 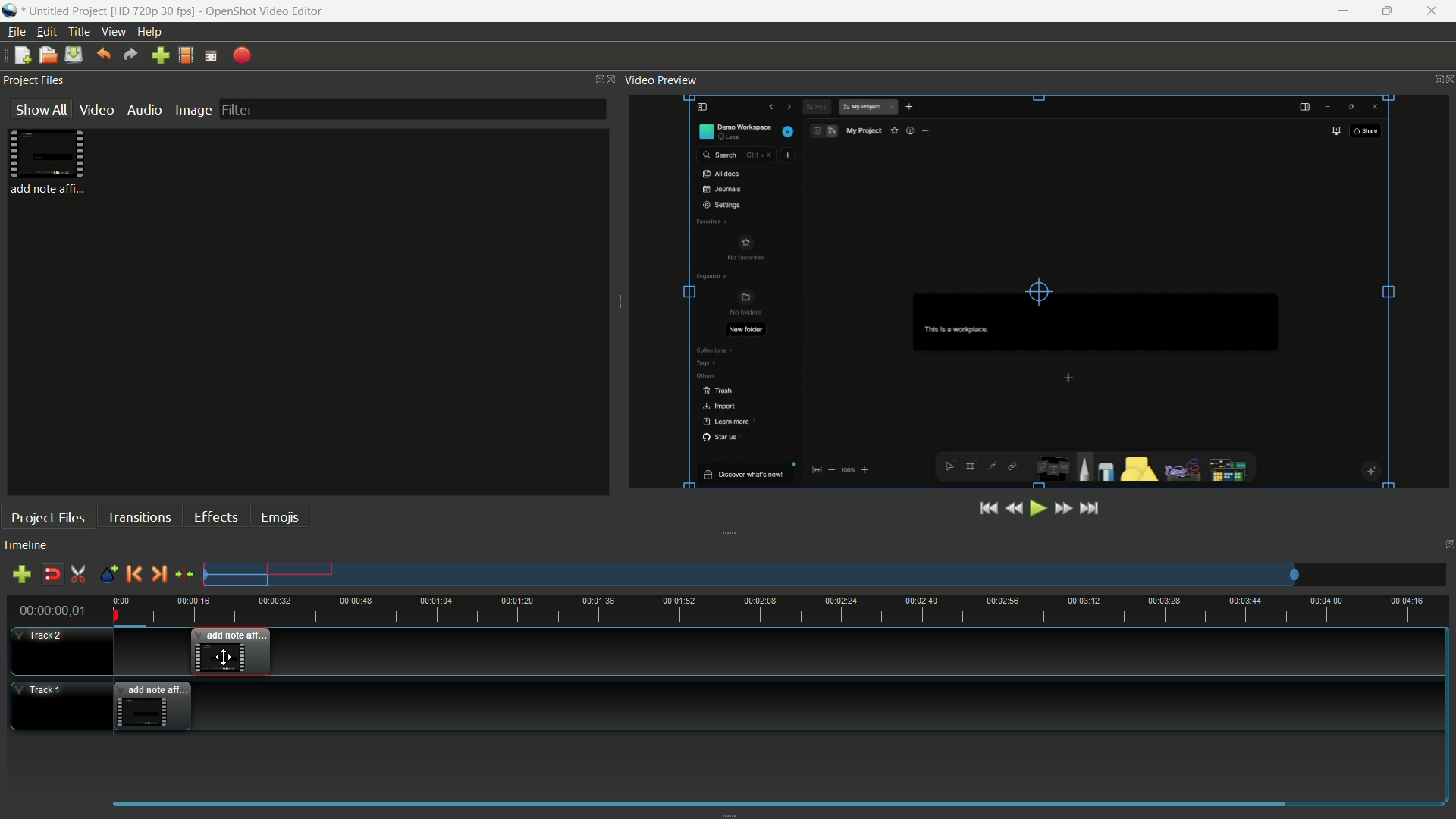 What do you see at coordinates (133, 573) in the screenshot?
I see `previous marker` at bounding box center [133, 573].